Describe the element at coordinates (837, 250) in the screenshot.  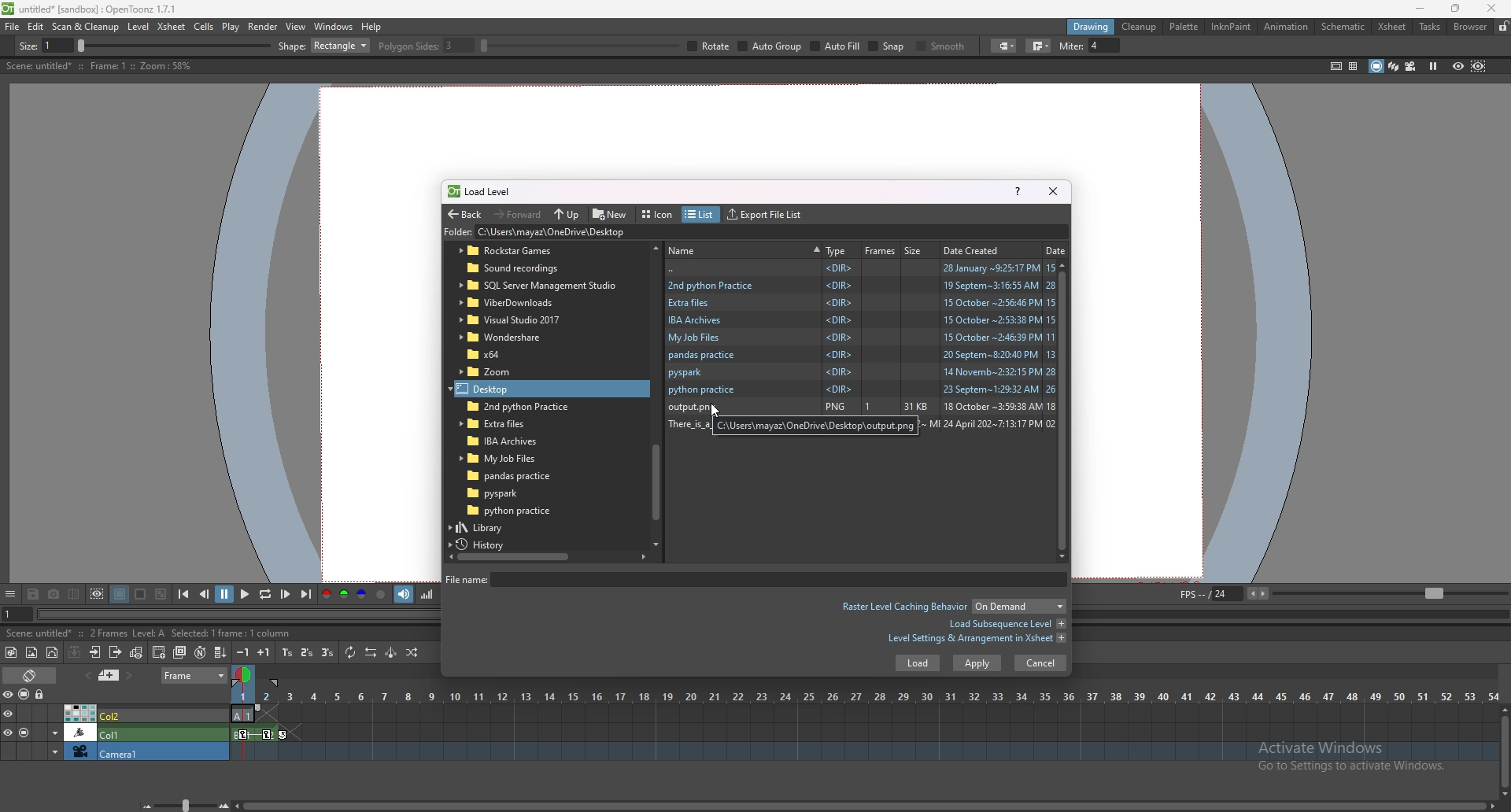
I see `type` at that location.